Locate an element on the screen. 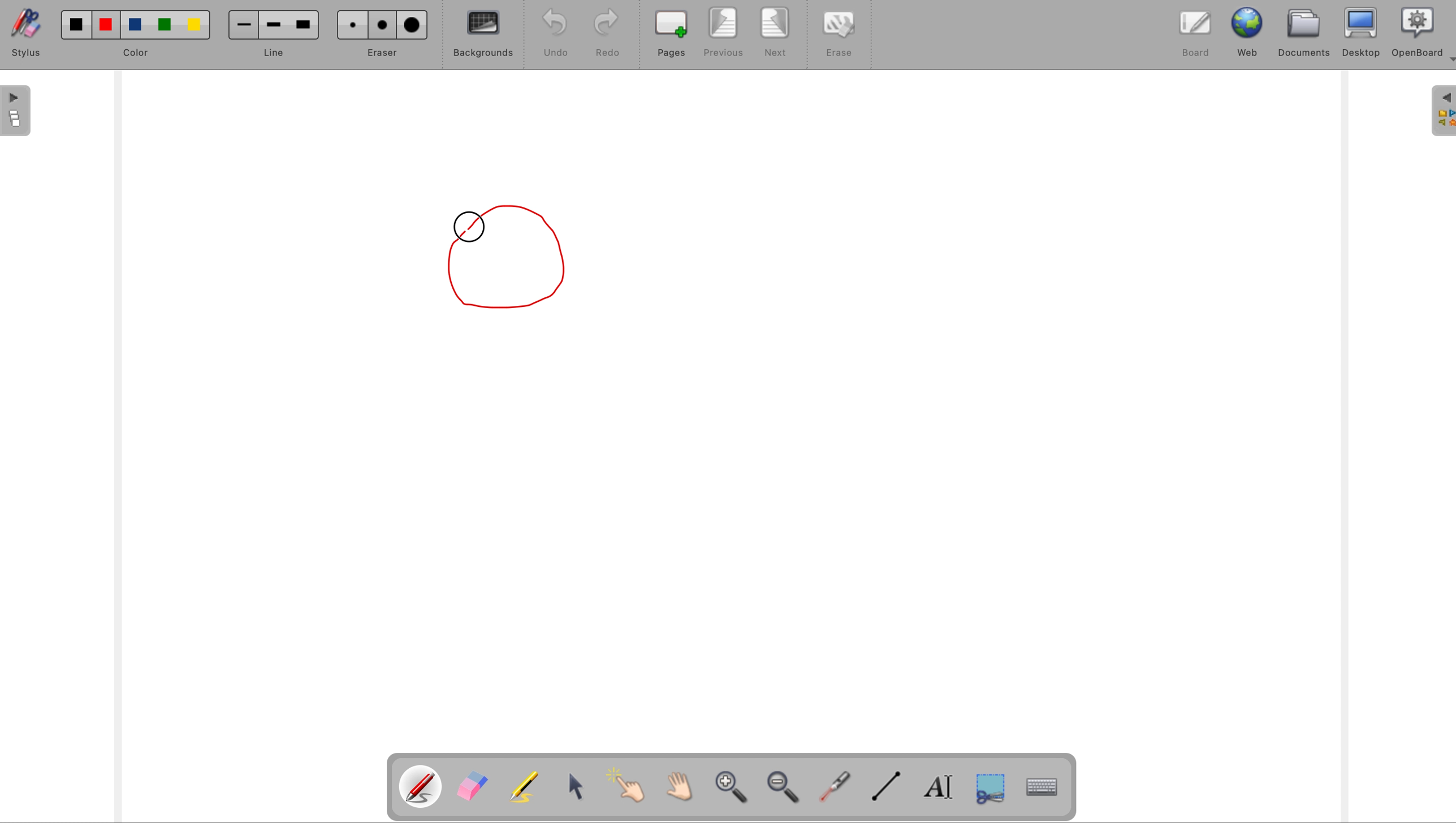 The image size is (1456, 823). eraser is located at coordinates (473, 787).